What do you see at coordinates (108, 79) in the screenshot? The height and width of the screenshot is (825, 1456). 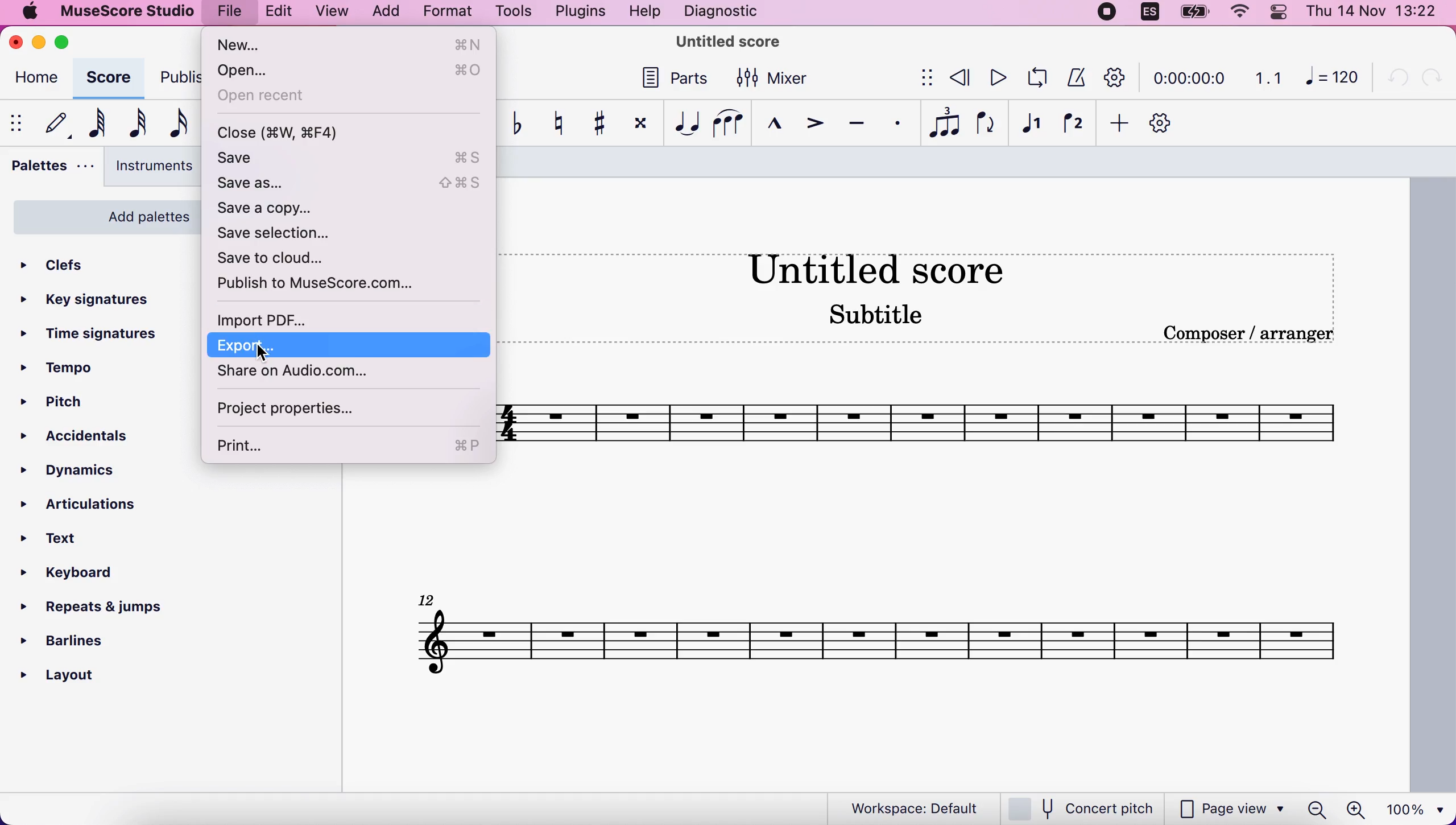 I see `score` at bounding box center [108, 79].